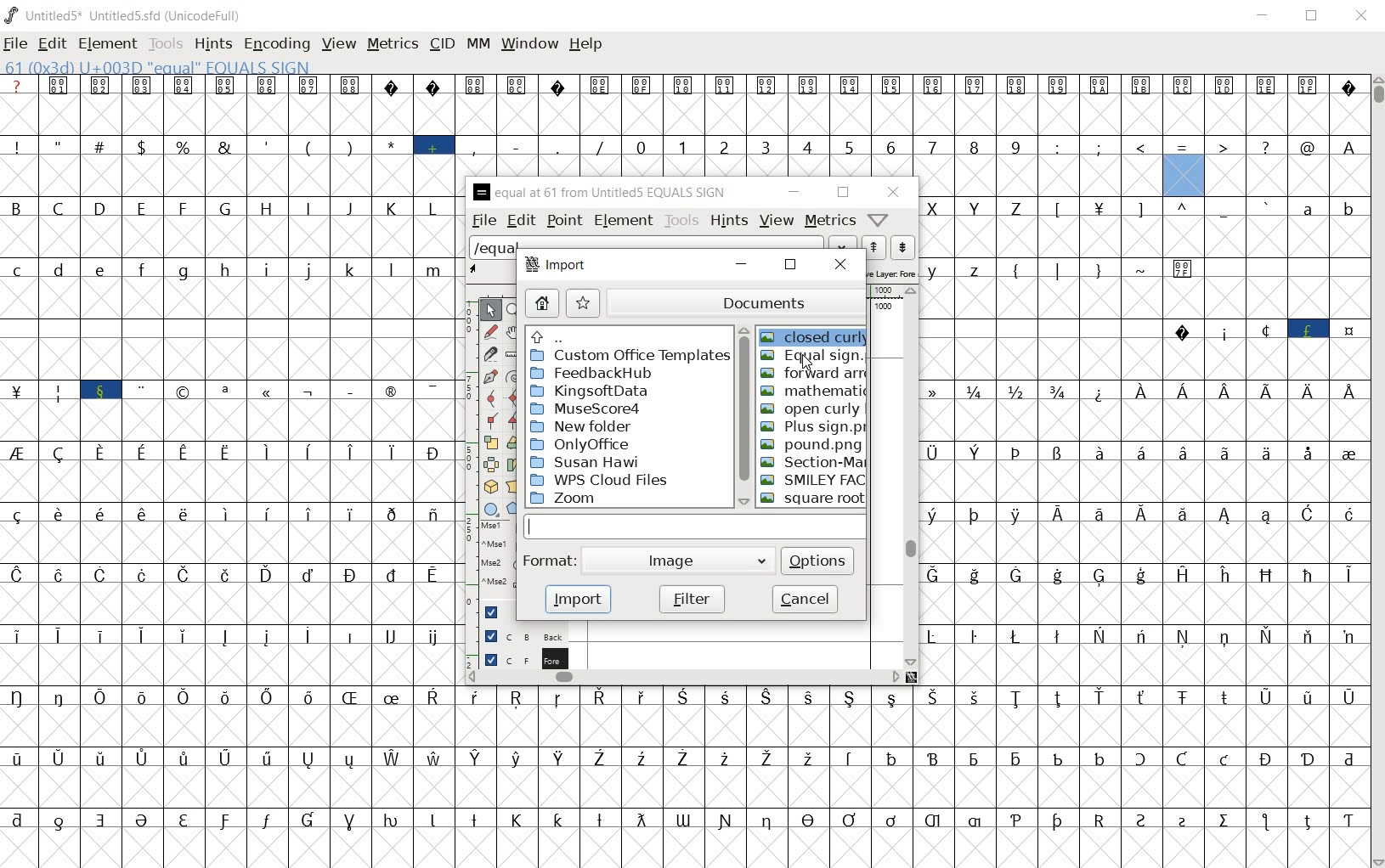 Image resolution: width=1385 pixels, height=868 pixels. Describe the element at coordinates (583, 302) in the screenshot. I see `star` at that location.